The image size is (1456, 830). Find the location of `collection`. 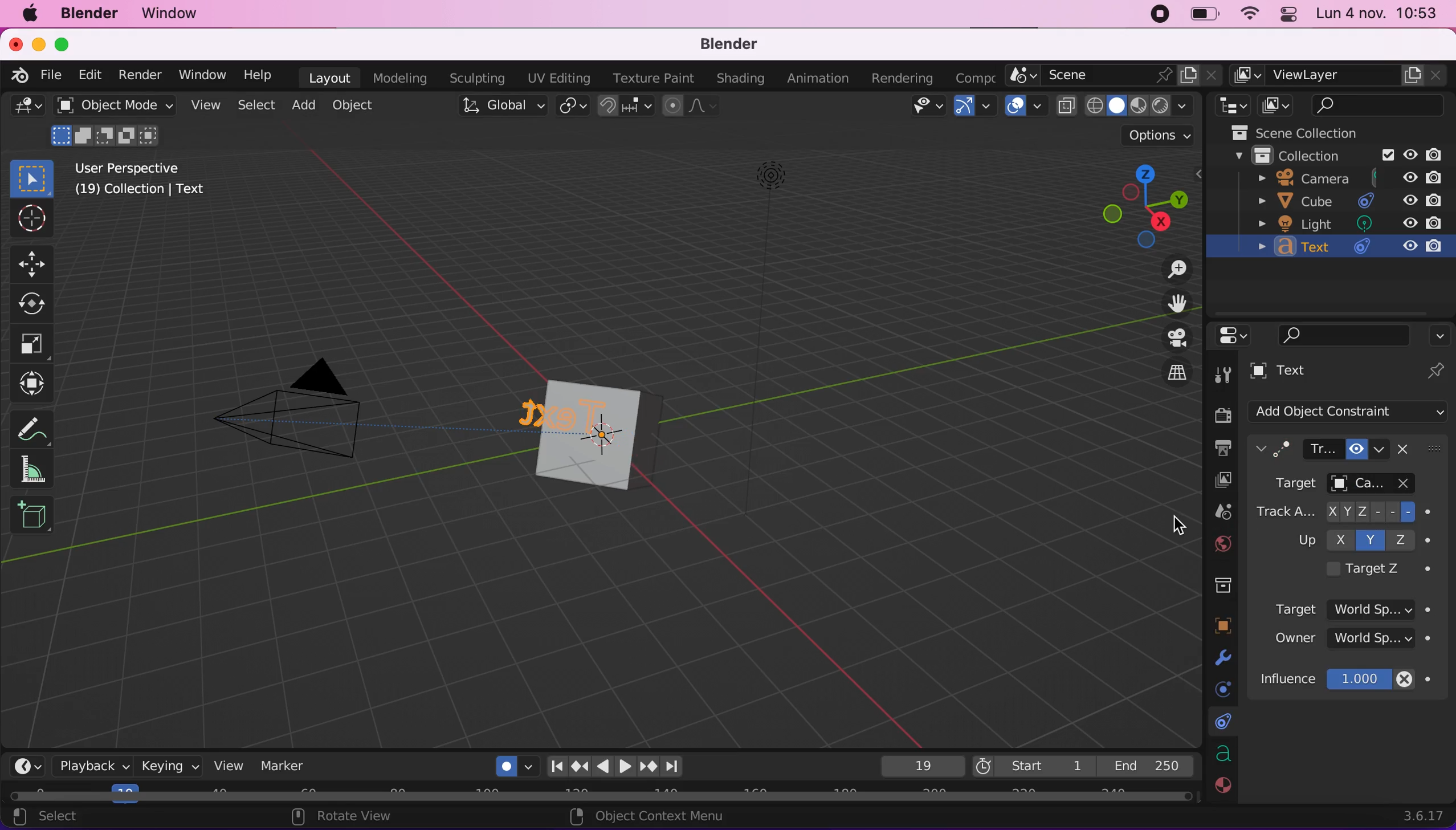

collection is located at coordinates (1329, 157).